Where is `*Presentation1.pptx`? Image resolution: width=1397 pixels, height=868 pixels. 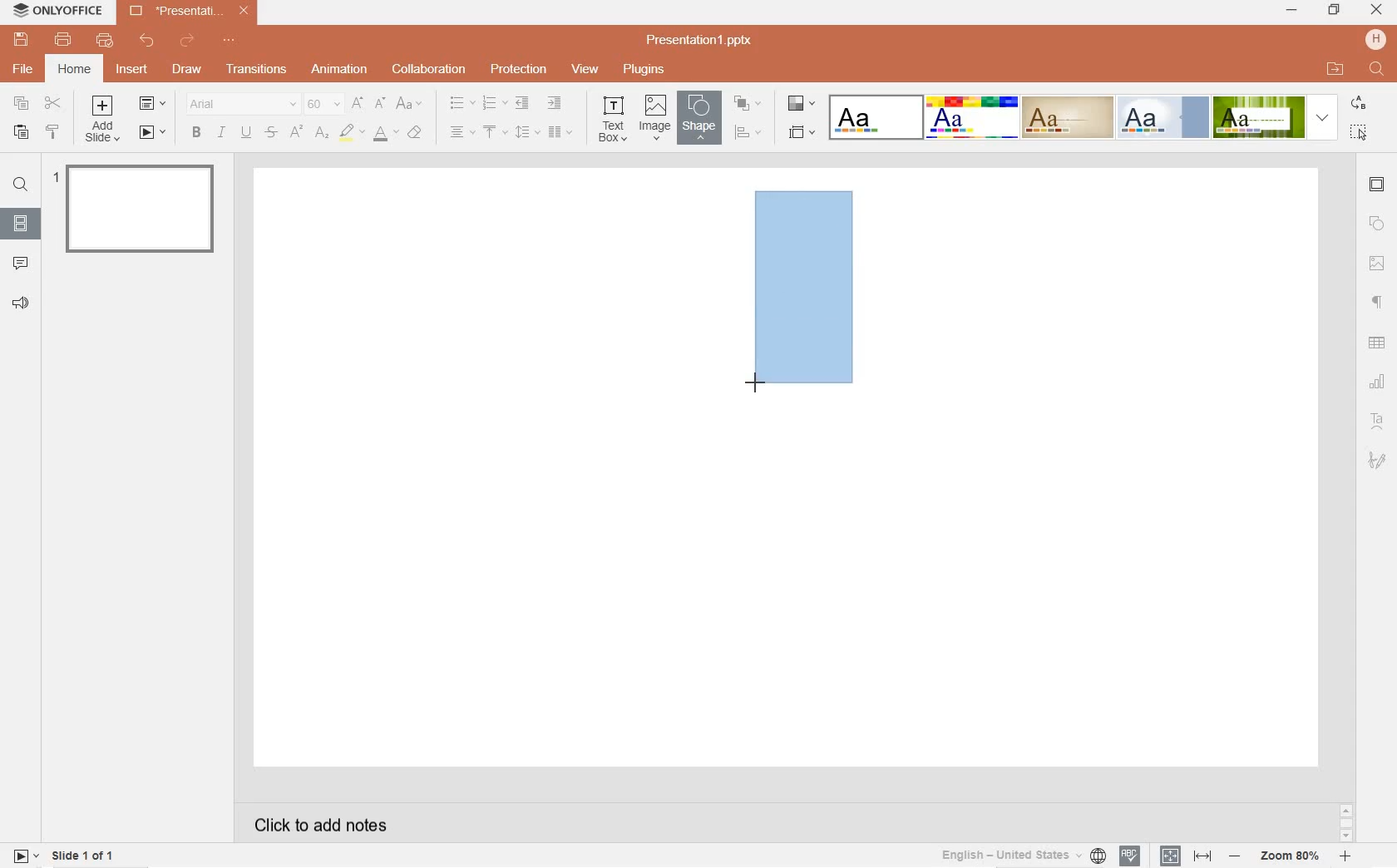 *Presentation1.pptx is located at coordinates (193, 12).